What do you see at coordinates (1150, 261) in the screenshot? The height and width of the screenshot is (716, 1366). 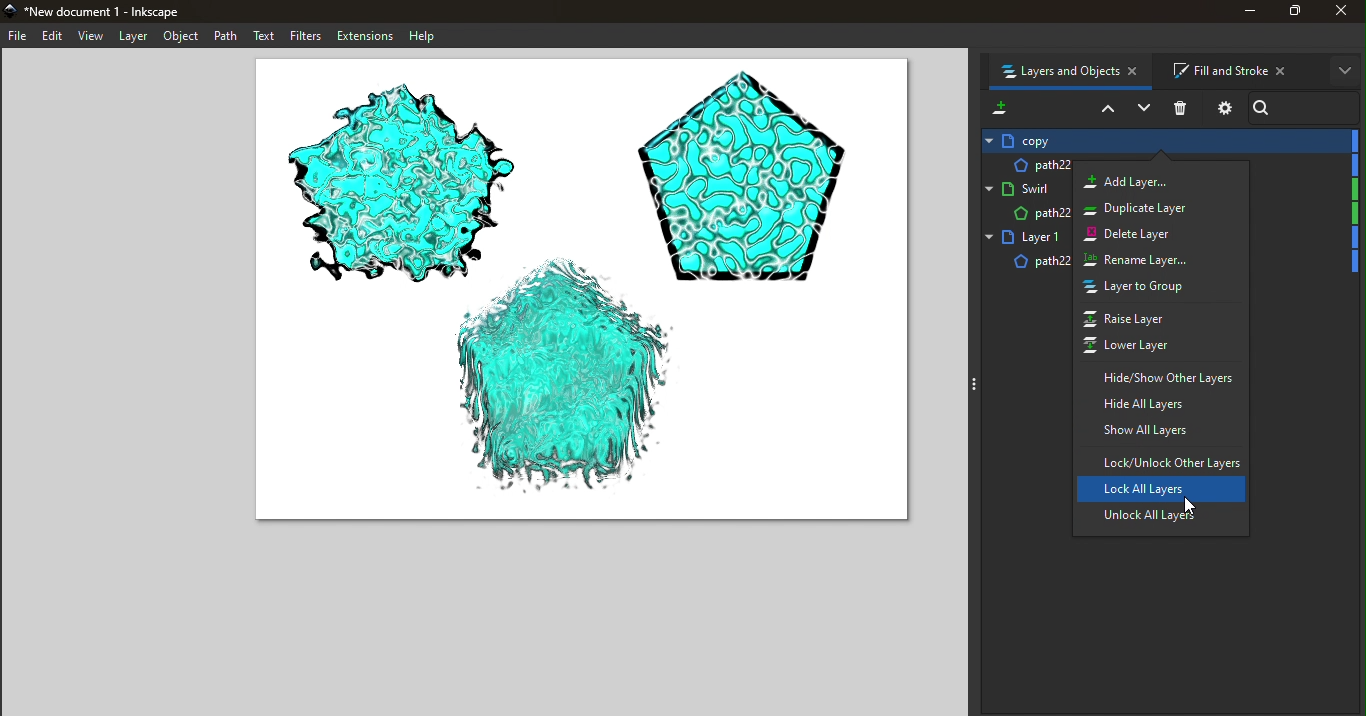 I see `Rename layer` at bounding box center [1150, 261].